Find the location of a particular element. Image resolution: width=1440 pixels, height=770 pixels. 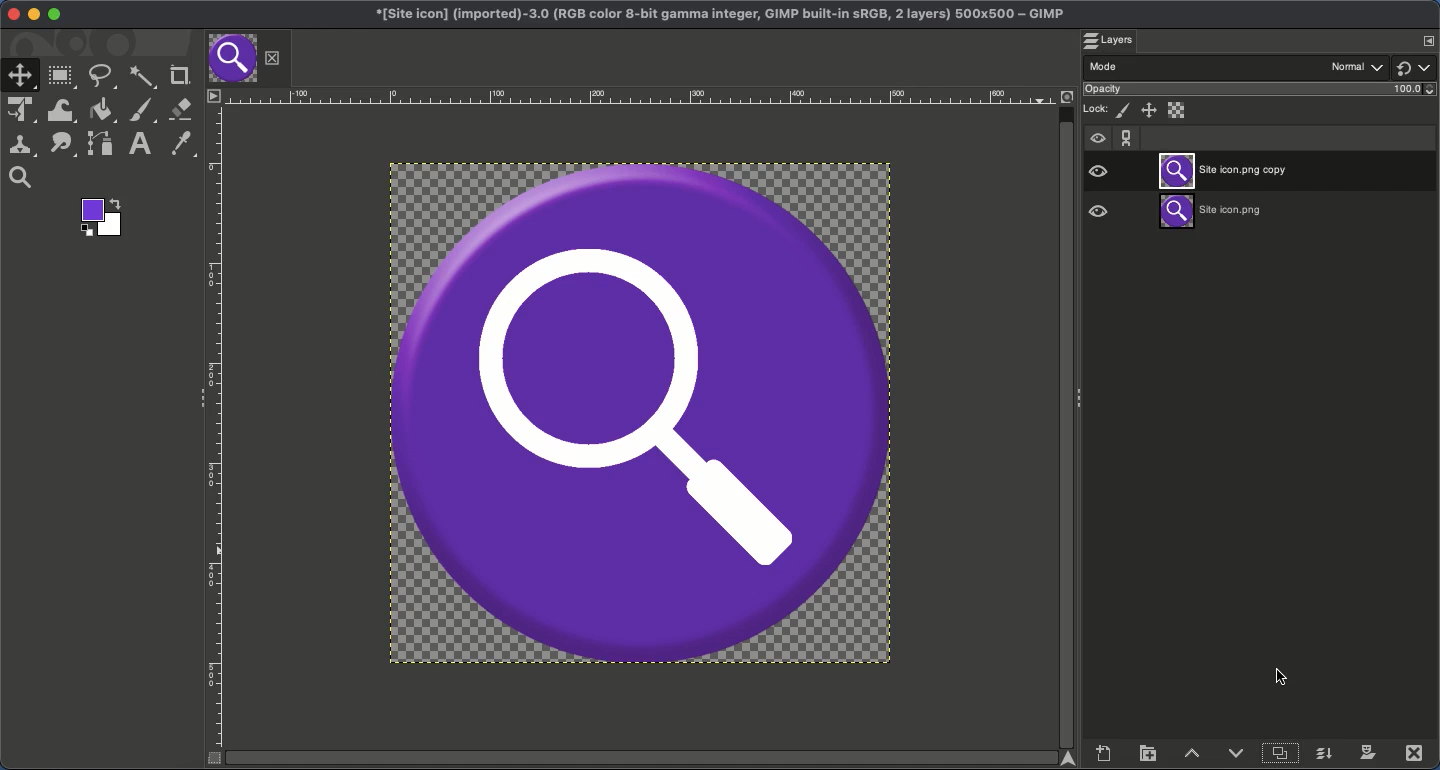

Menu is located at coordinates (1429, 40).